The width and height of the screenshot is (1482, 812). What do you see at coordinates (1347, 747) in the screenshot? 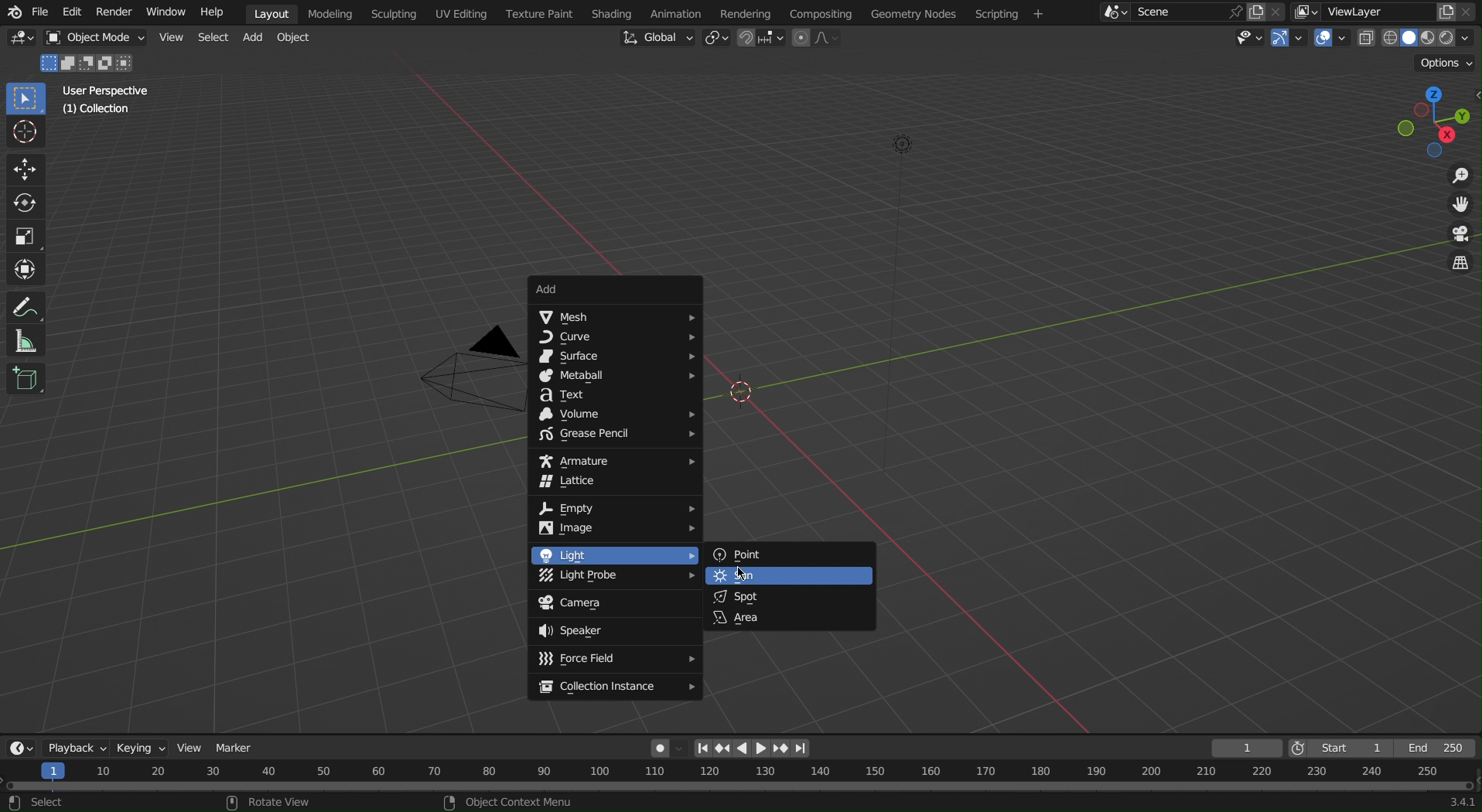
I see `start 1` at bounding box center [1347, 747].